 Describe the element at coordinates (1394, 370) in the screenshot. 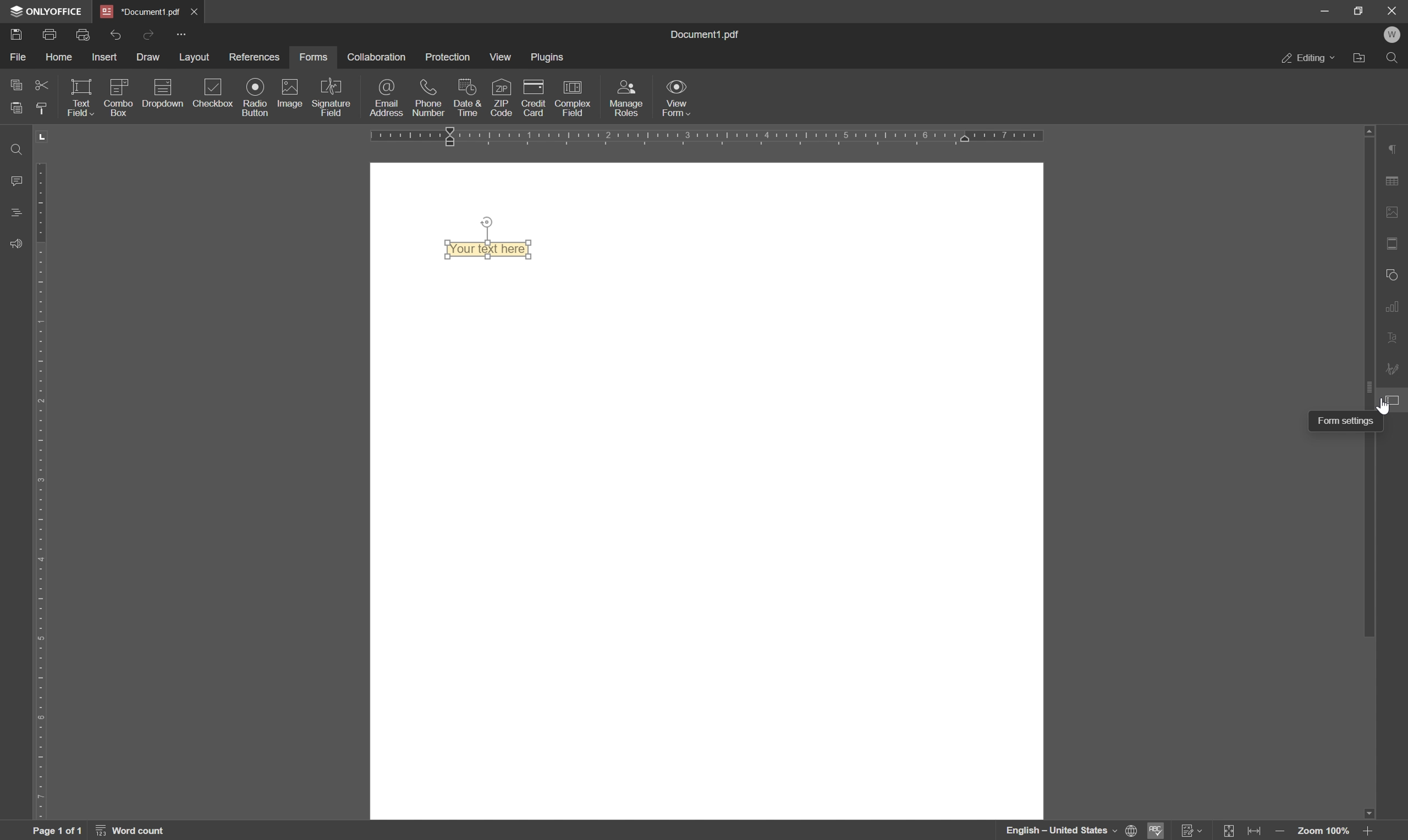

I see `signature settings` at that location.